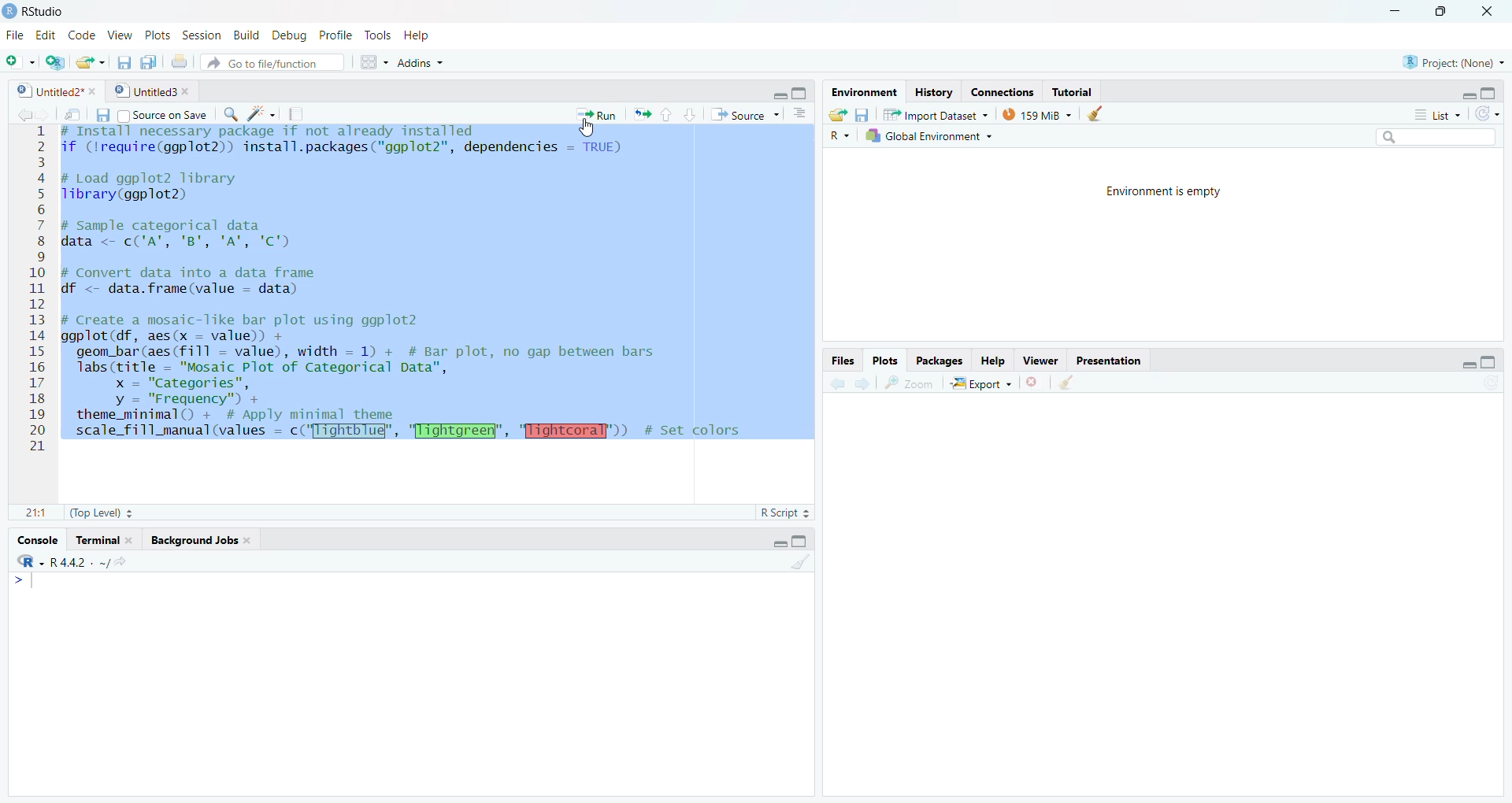 The height and width of the screenshot is (803, 1512). What do you see at coordinates (1033, 383) in the screenshot?
I see `Delete` at bounding box center [1033, 383].